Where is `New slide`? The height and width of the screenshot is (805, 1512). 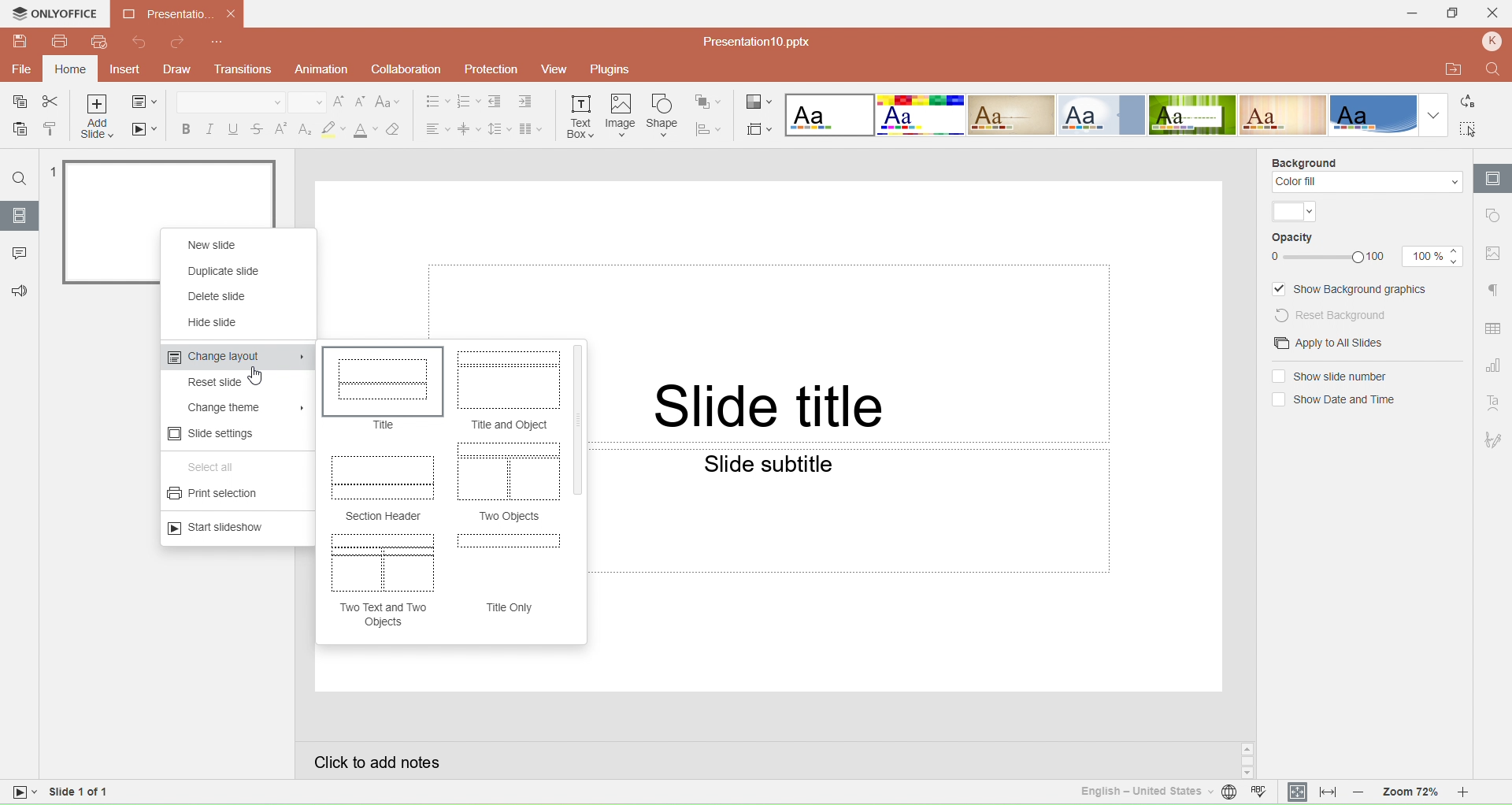
New slide is located at coordinates (213, 246).